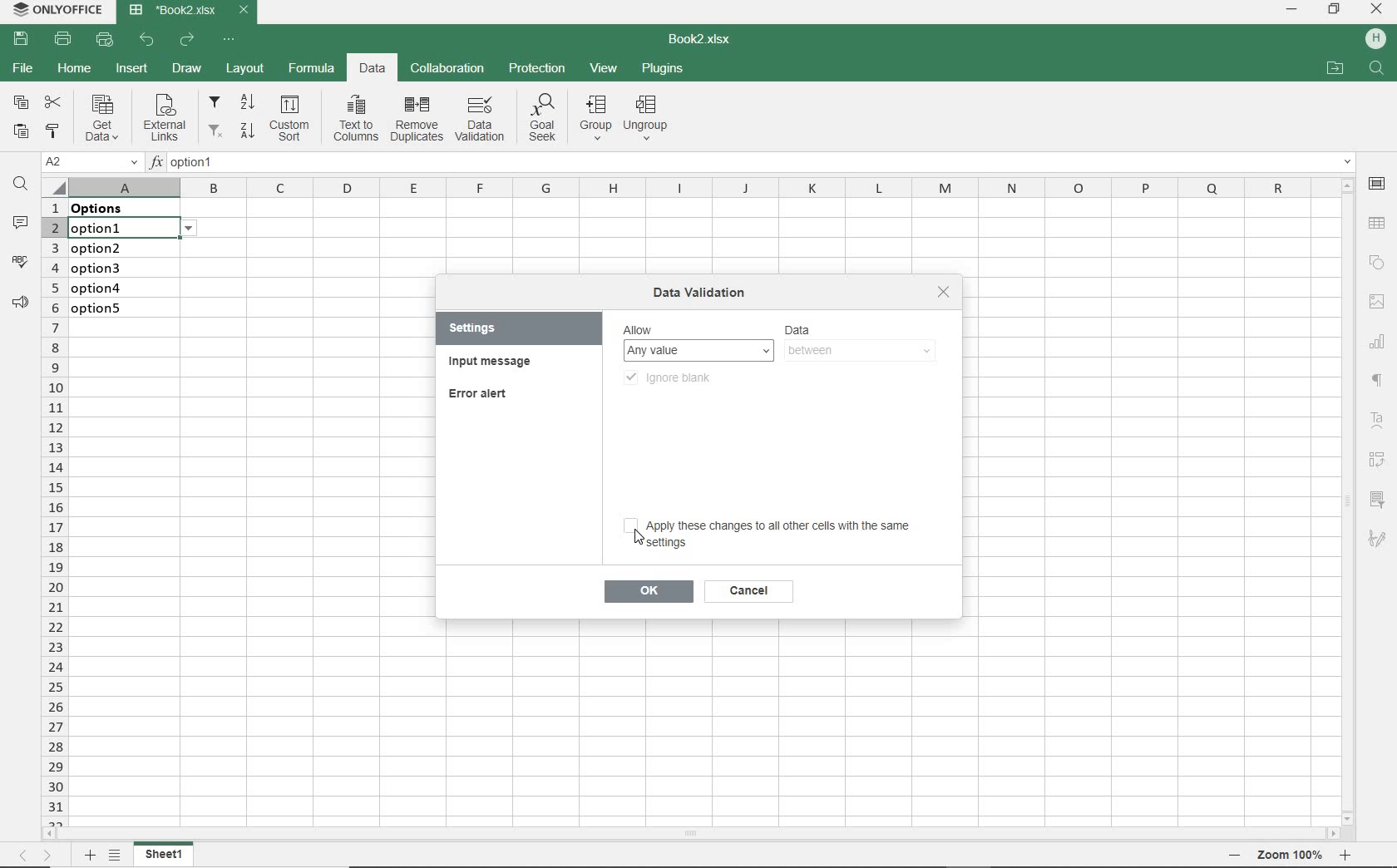 The height and width of the screenshot is (868, 1397). Describe the element at coordinates (24, 130) in the screenshot. I see `PASTE` at that location.